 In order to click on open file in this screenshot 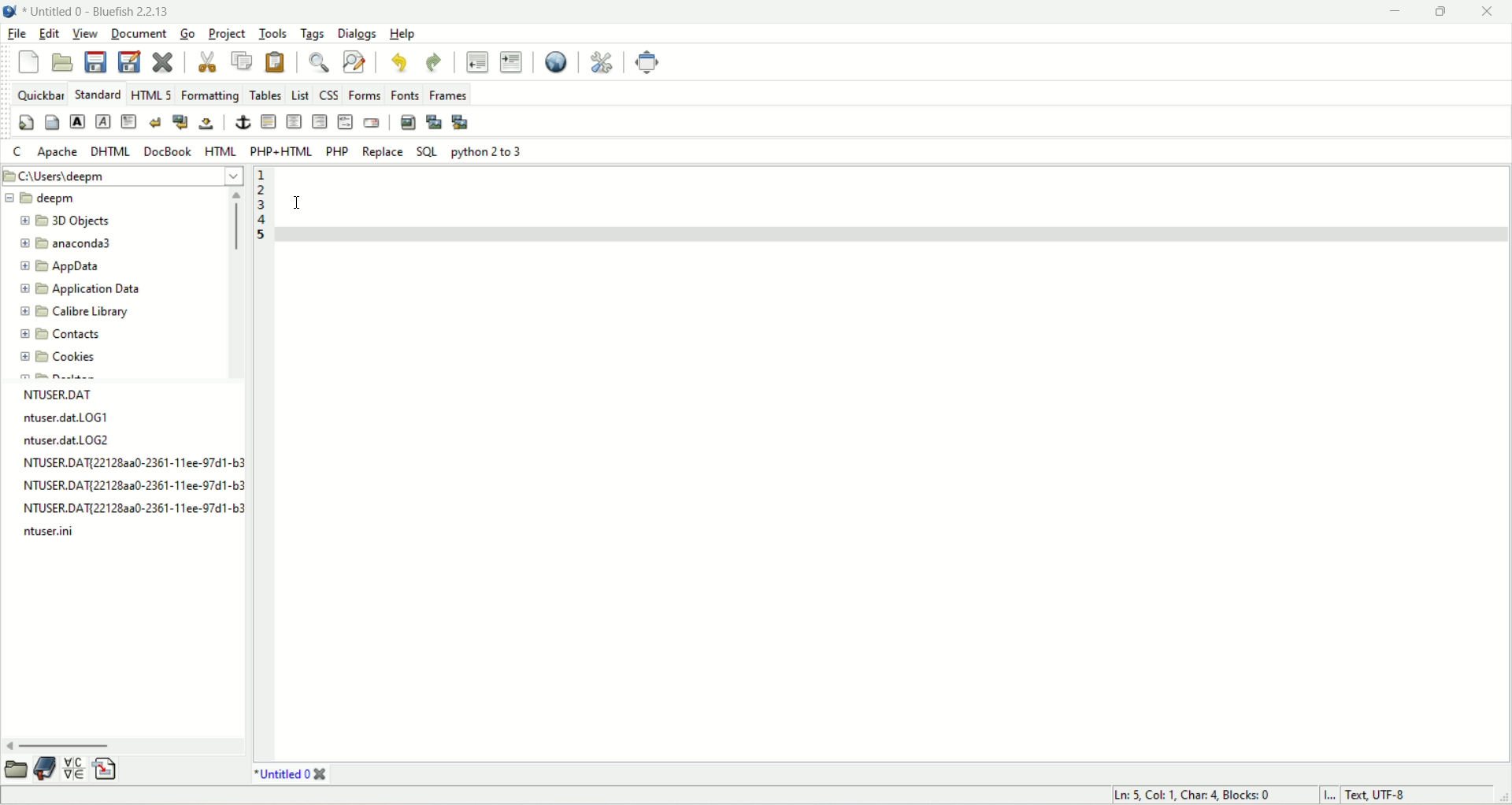, I will do `click(62, 63)`.